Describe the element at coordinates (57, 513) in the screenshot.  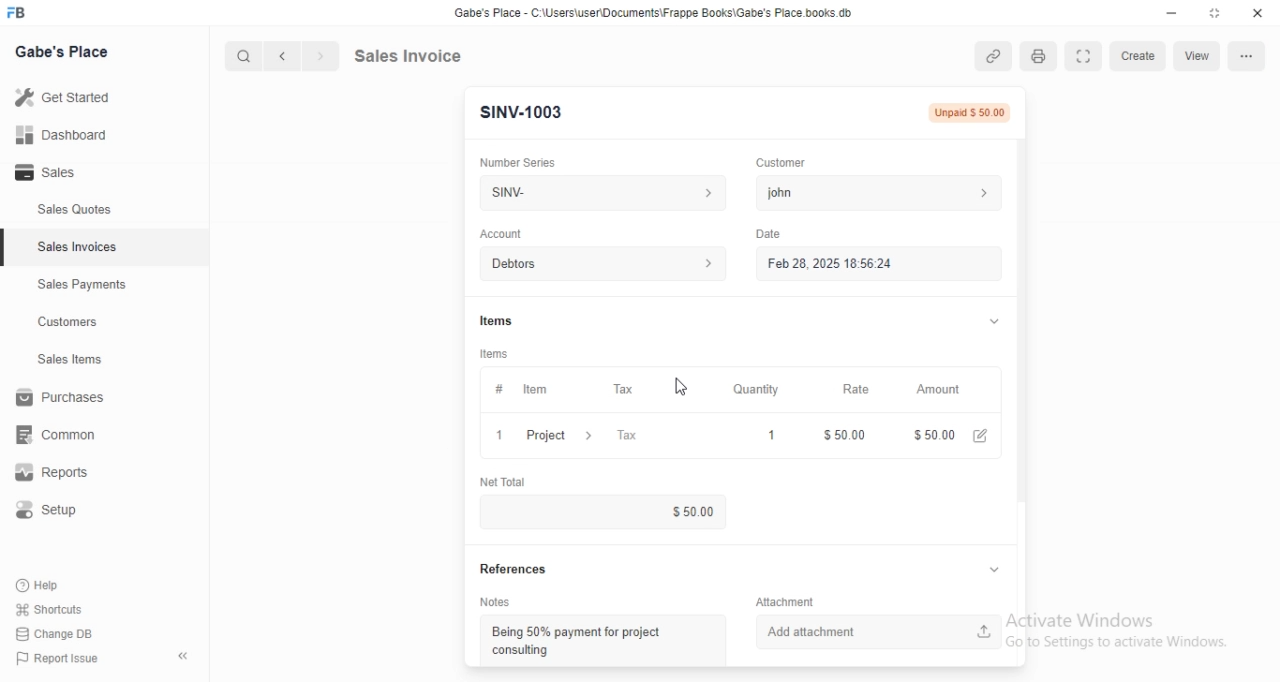
I see `Setup` at that location.